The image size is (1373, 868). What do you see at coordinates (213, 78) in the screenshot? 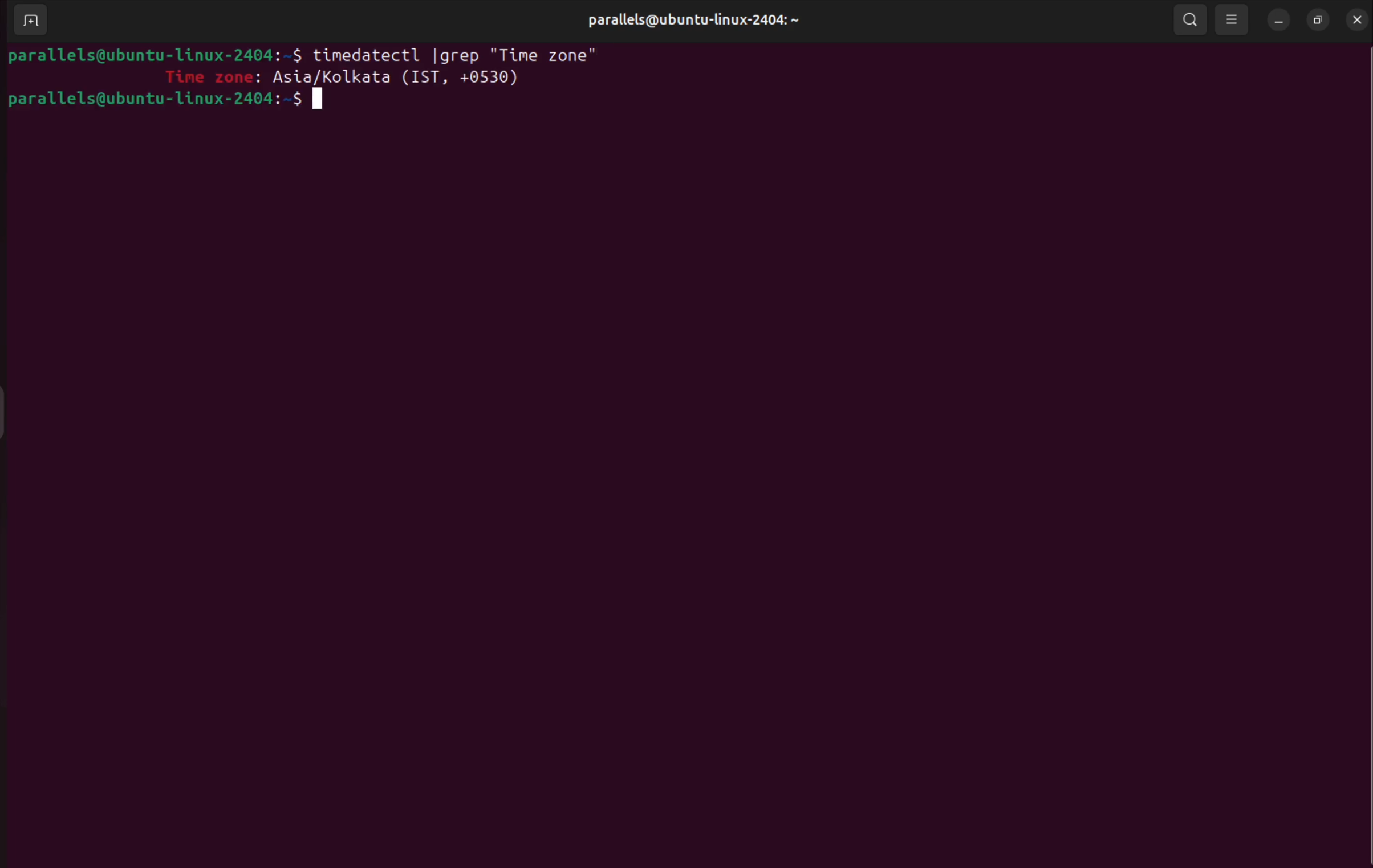
I see `Time zone:` at bounding box center [213, 78].